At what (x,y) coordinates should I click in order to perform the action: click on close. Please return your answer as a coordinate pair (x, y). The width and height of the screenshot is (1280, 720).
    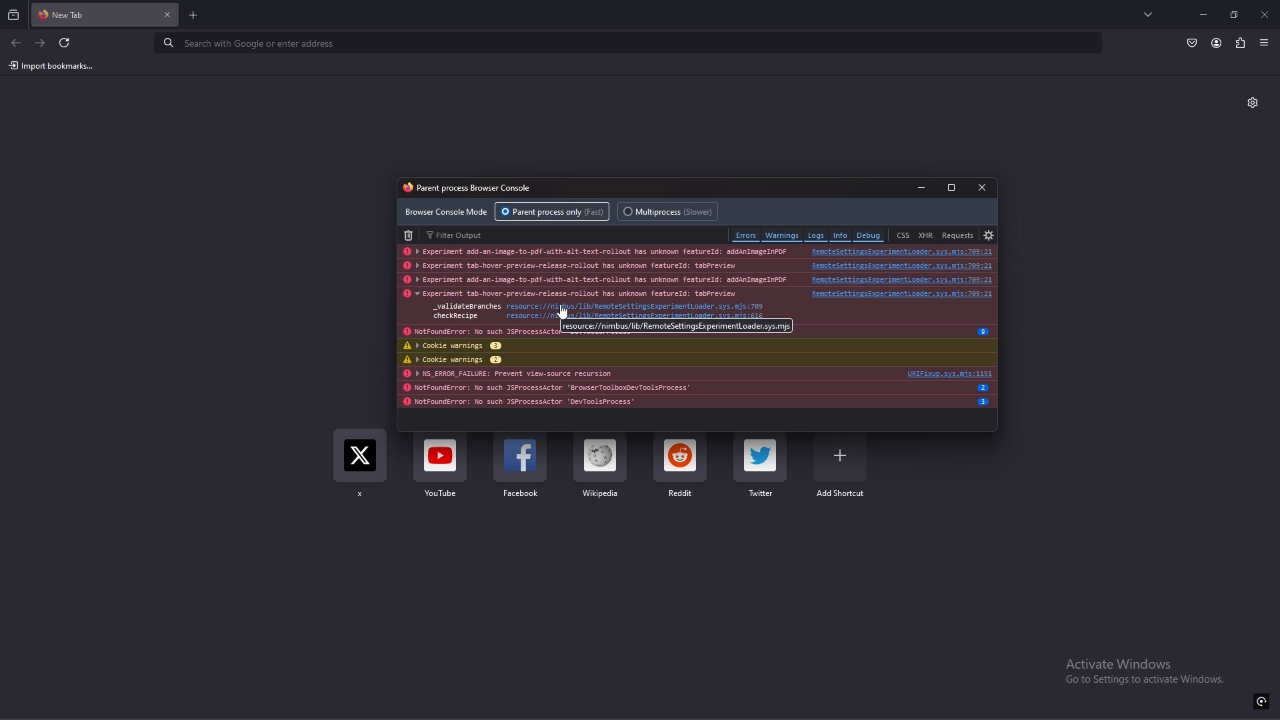
    Looking at the image, I should click on (982, 187).